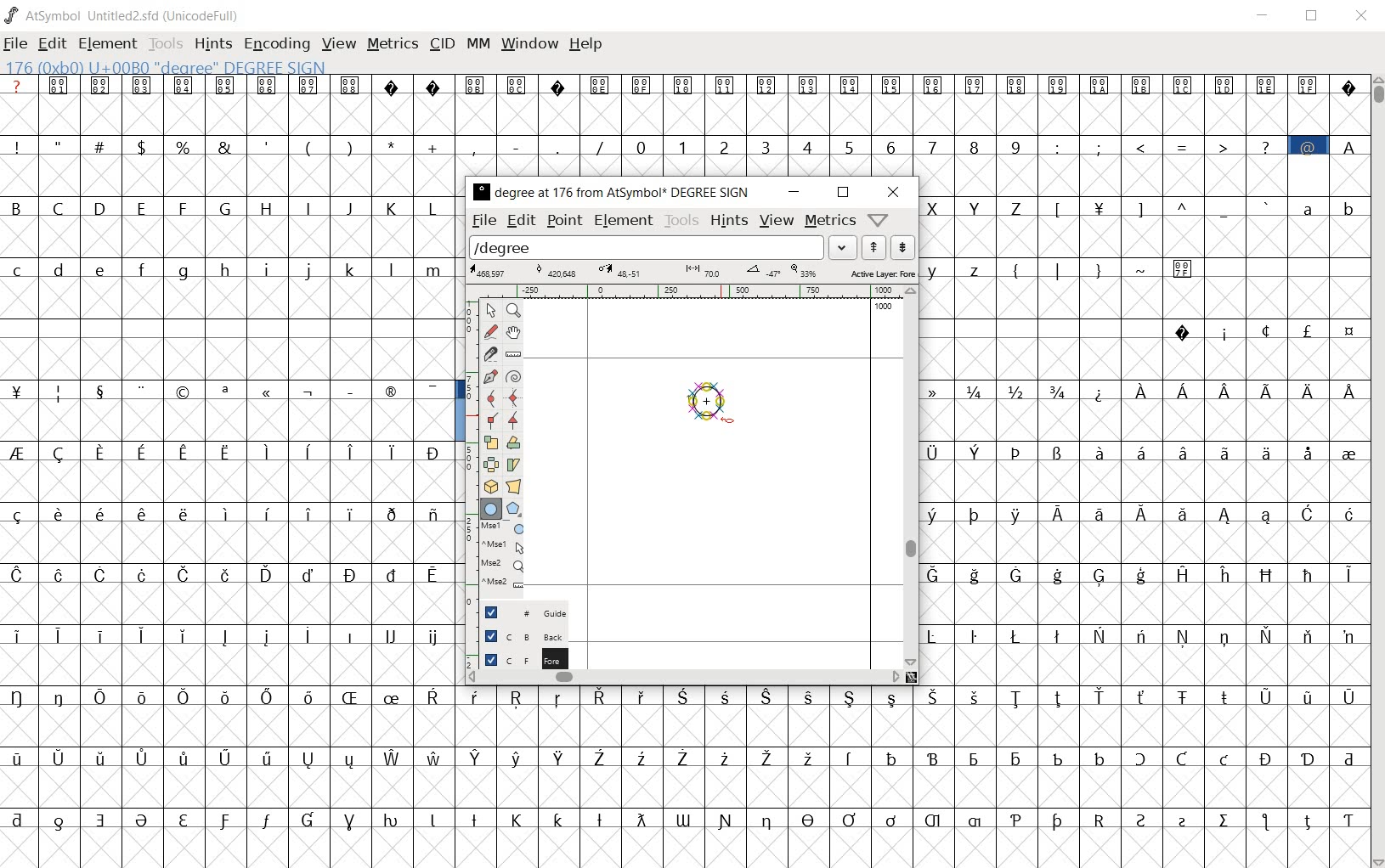 This screenshot has height=868, width=1385. What do you see at coordinates (562, 221) in the screenshot?
I see `point` at bounding box center [562, 221].